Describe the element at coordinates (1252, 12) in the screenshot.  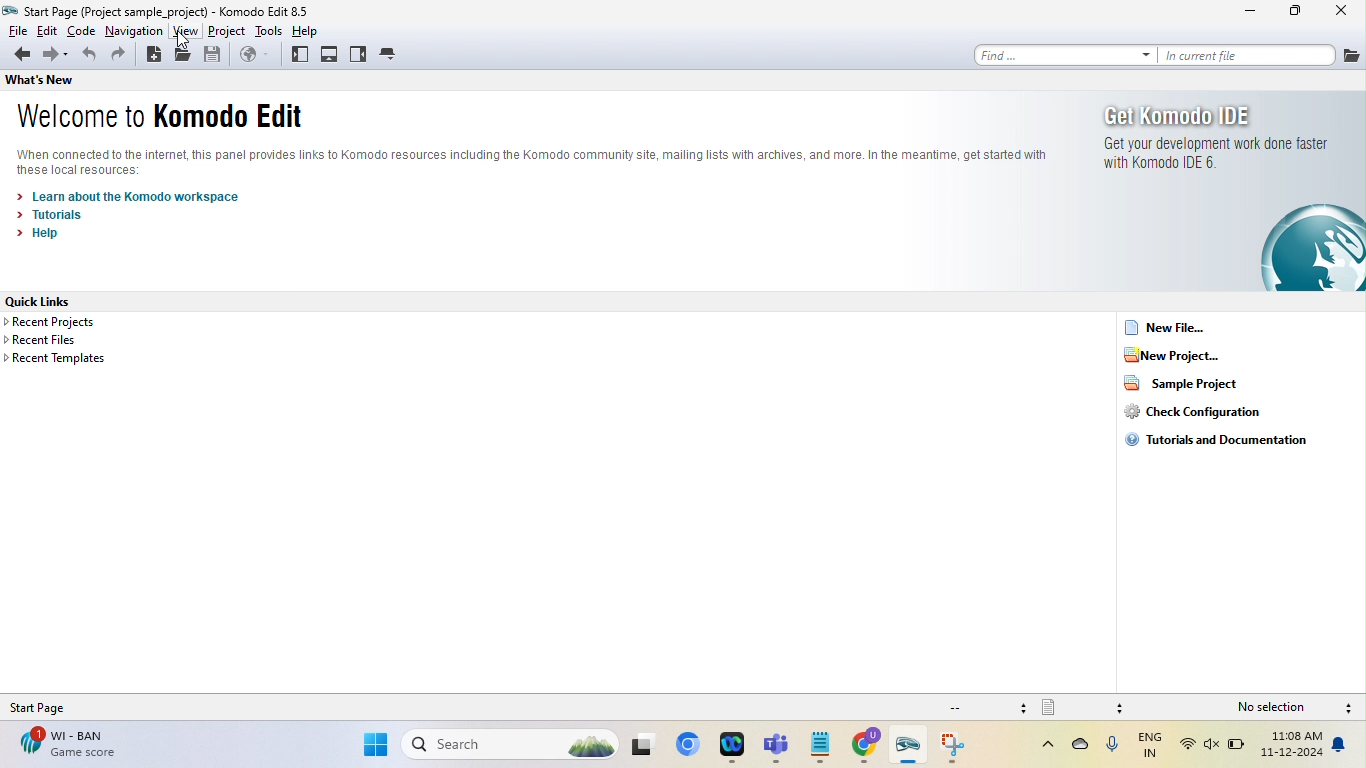
I see `minimize` at that location.